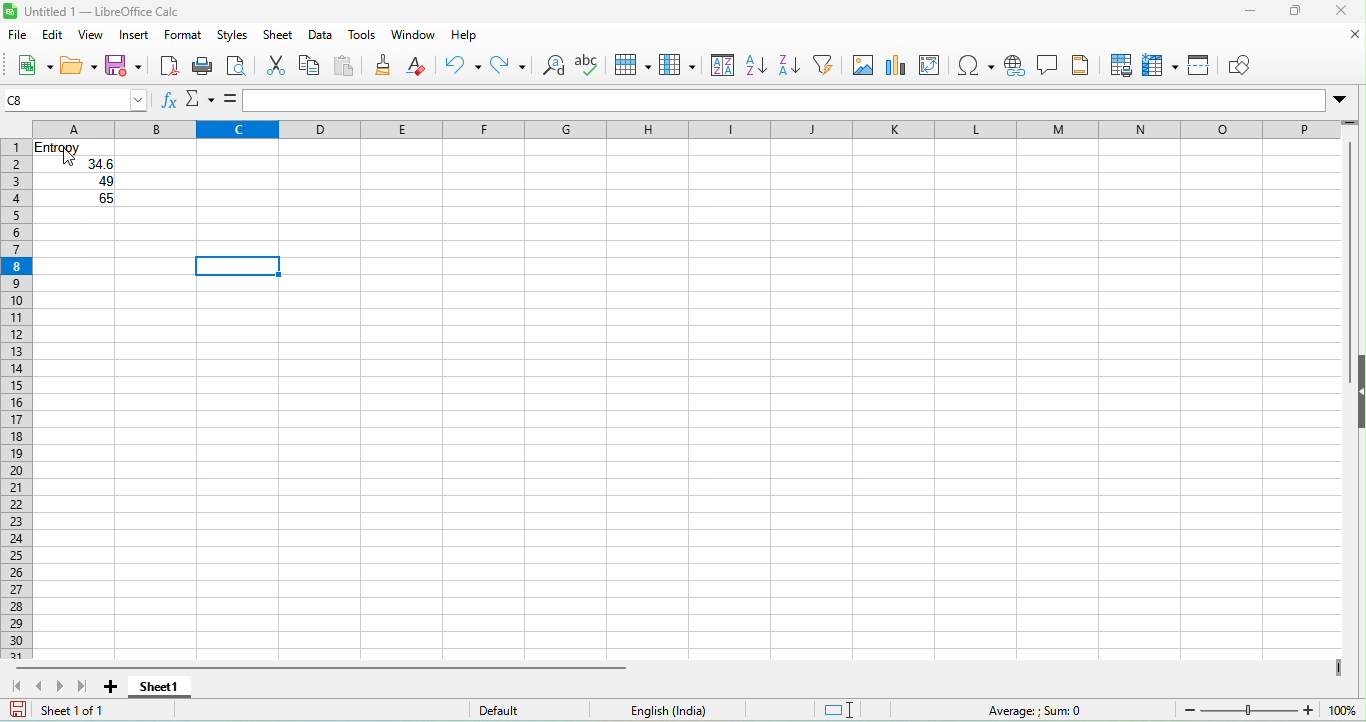 The width and height of the screenshot is (1366, 722). I want to click on edit pivot table, so click(932, 66).